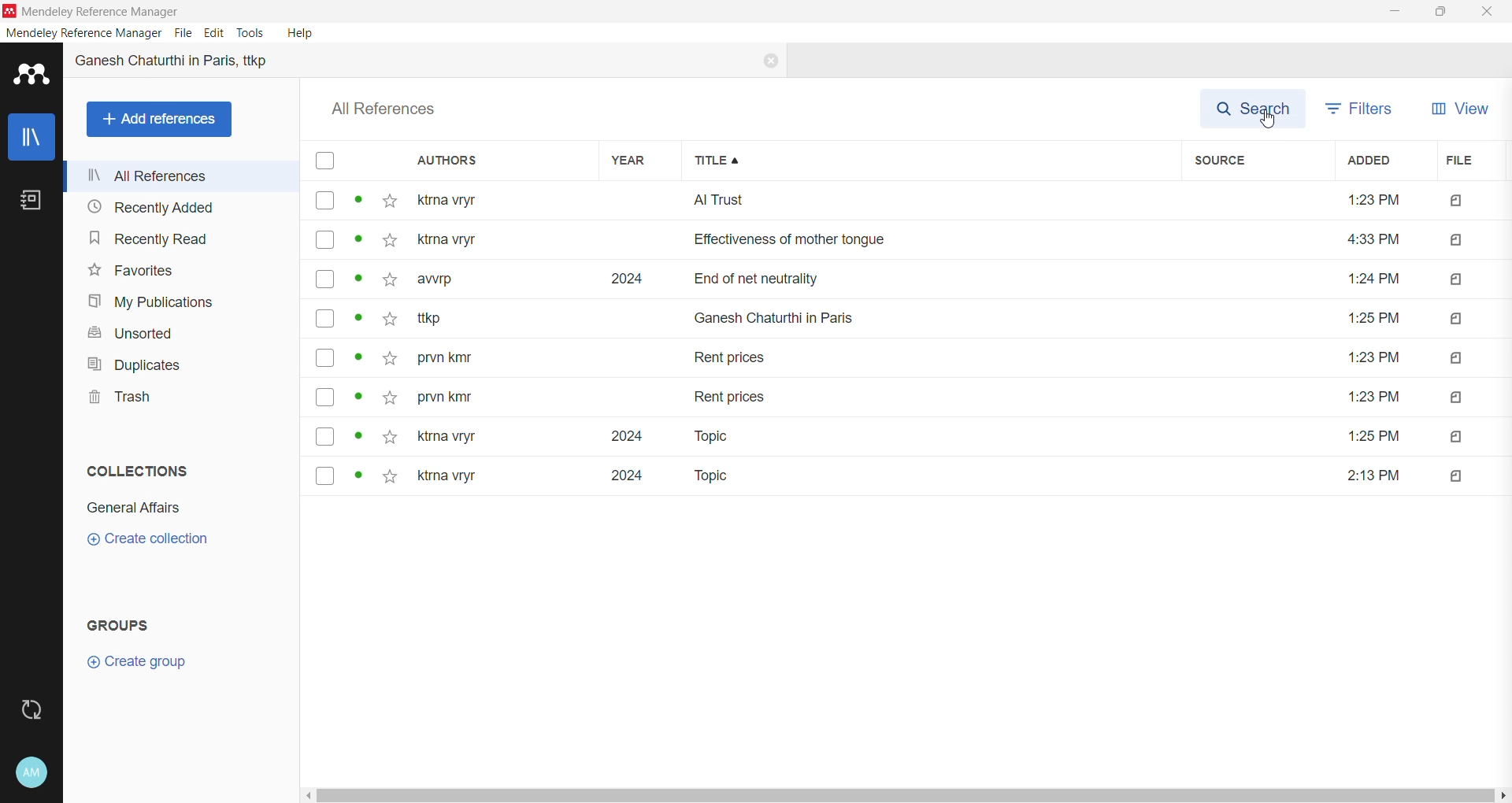 Image resolution: width=1512 pixels, height=803 pixels. I want to click on file type, so click(1451, 202).